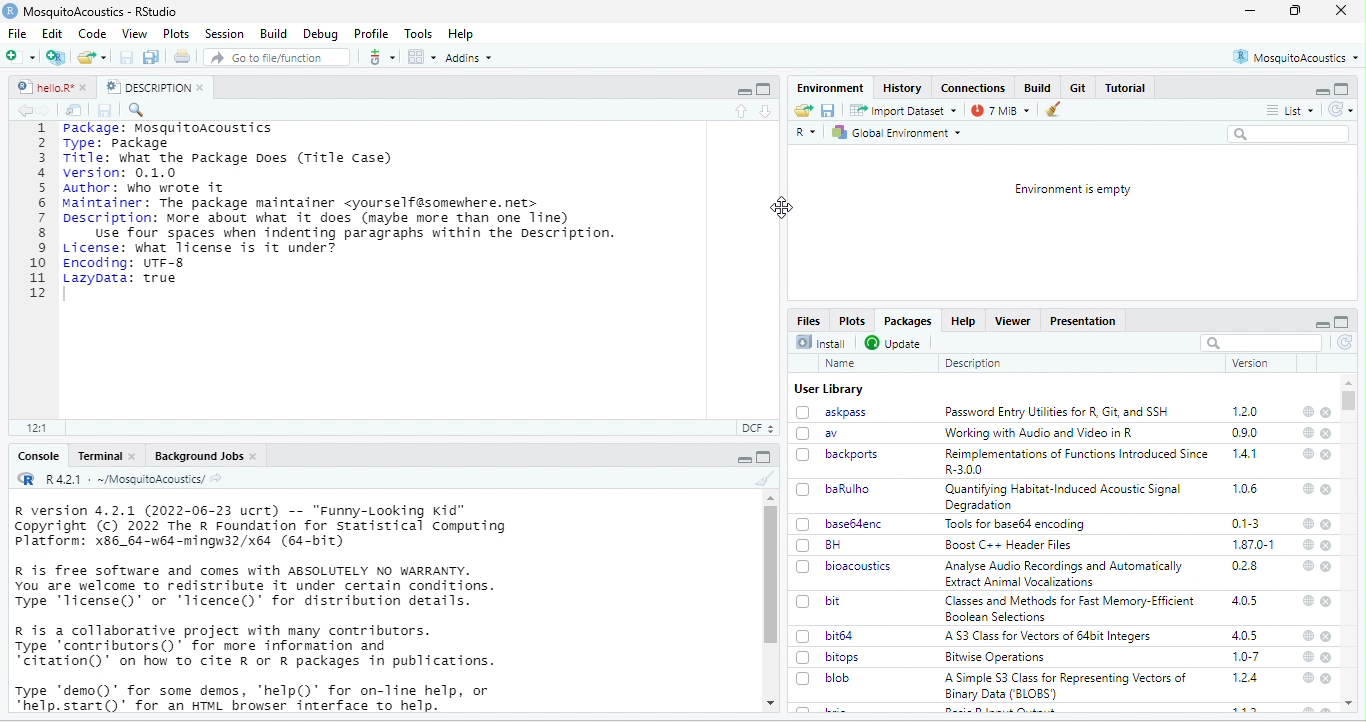 The image size is (1366, 722). Describe the element at coordinates (21, 33) in the screenshot. I see `File` at that location.